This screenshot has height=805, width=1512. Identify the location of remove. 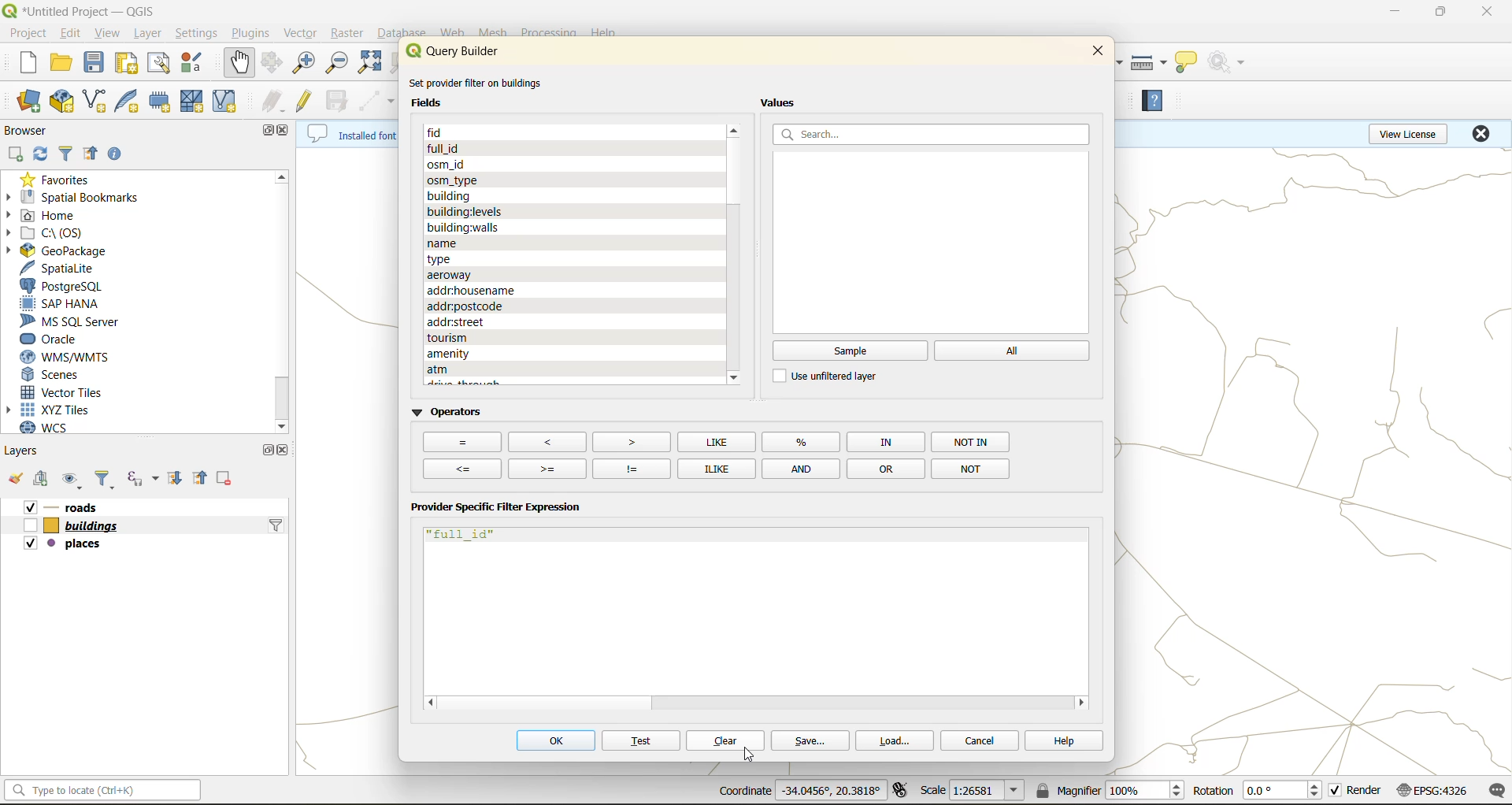
(222, 477).